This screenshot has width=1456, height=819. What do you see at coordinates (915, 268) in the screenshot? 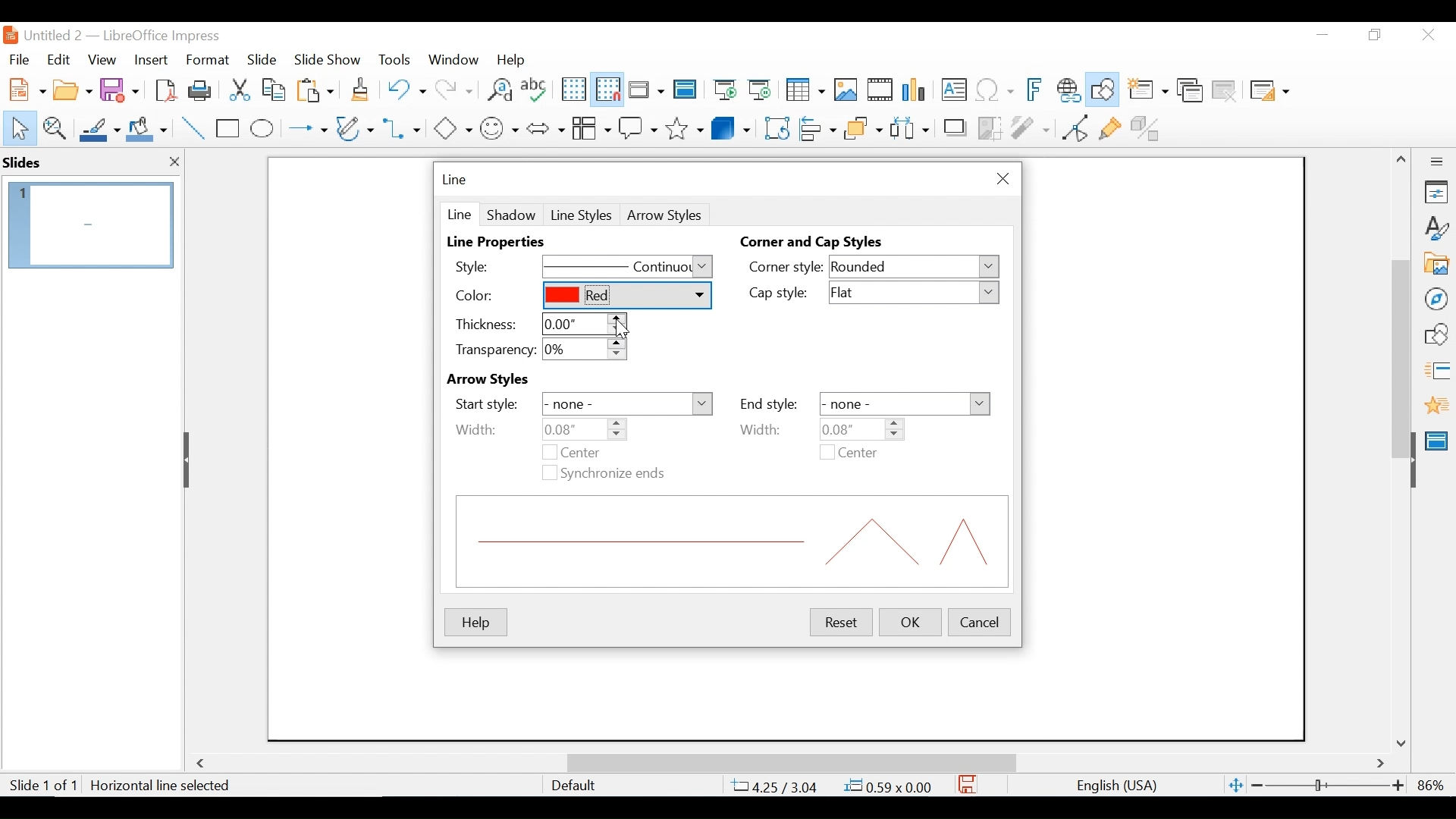
I see `Rounded` at bounding box center [915, 268].